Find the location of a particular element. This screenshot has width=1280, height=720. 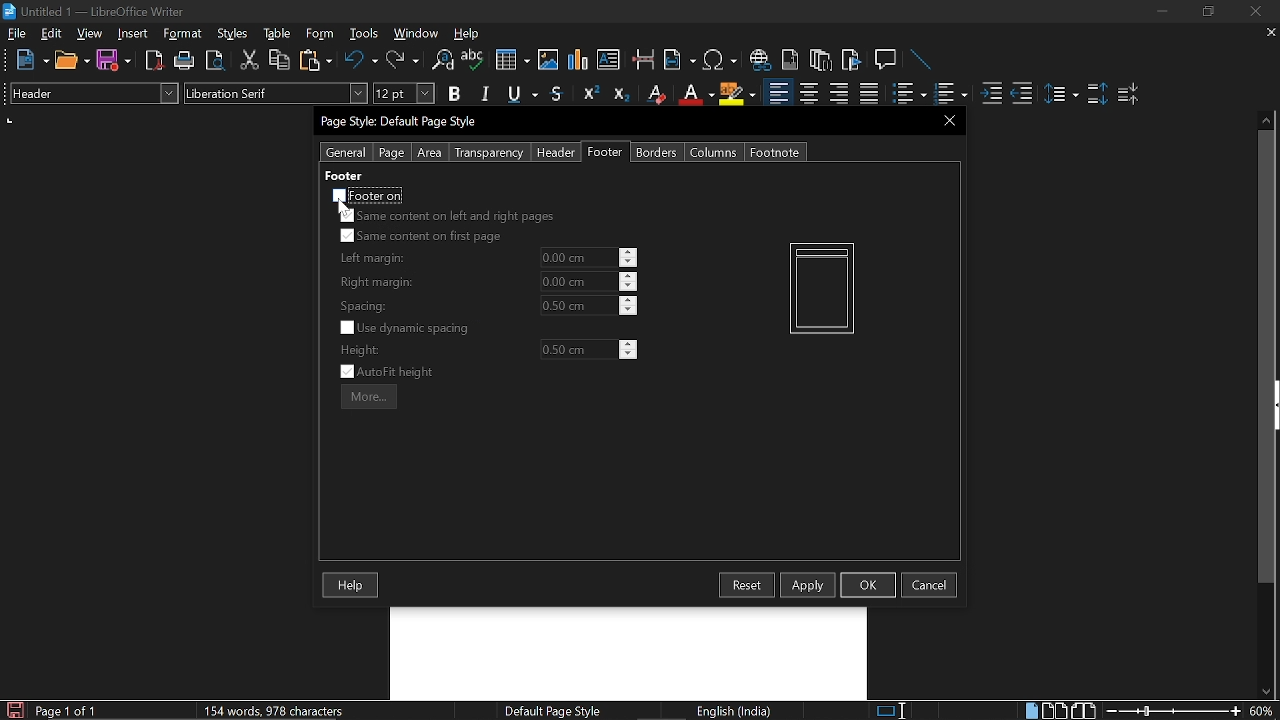

right margin is located at coordinates (377, 283).